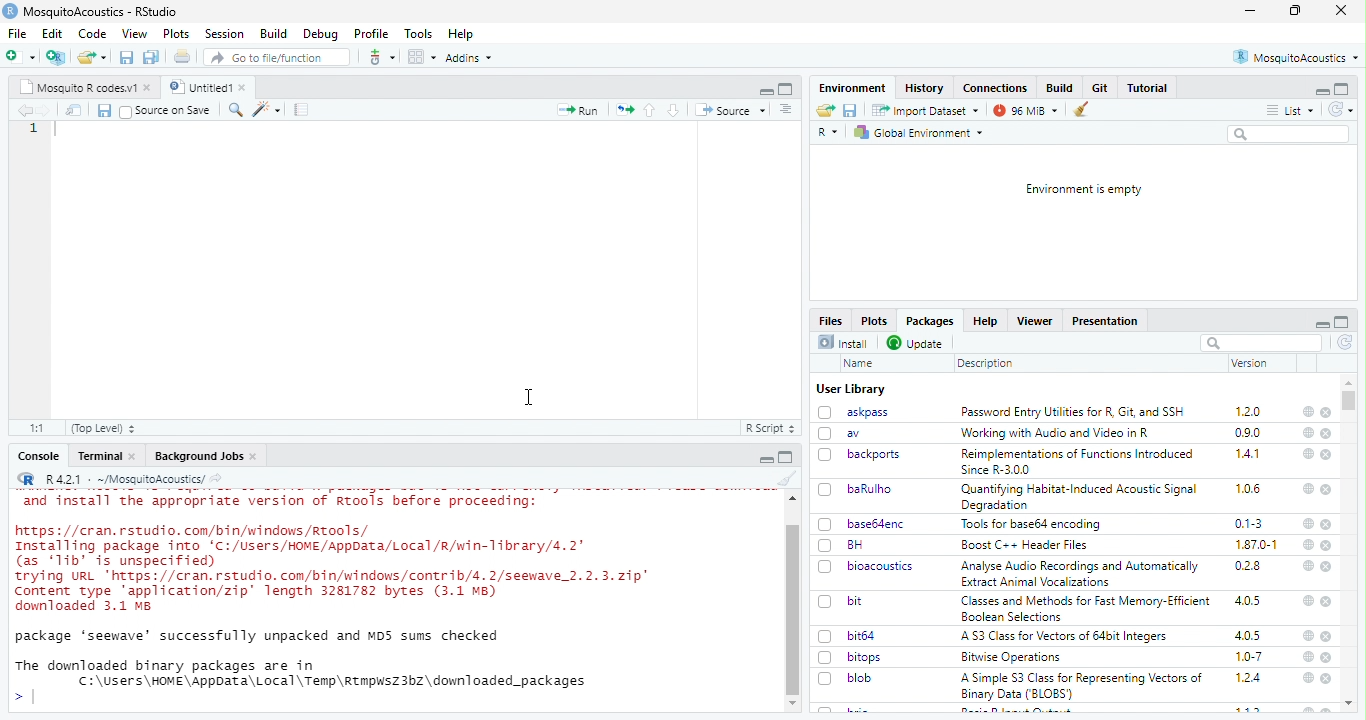  What do you see at coordinates (245, 87) in the screenshot?
I see `close` at bounding box center [245, 87].